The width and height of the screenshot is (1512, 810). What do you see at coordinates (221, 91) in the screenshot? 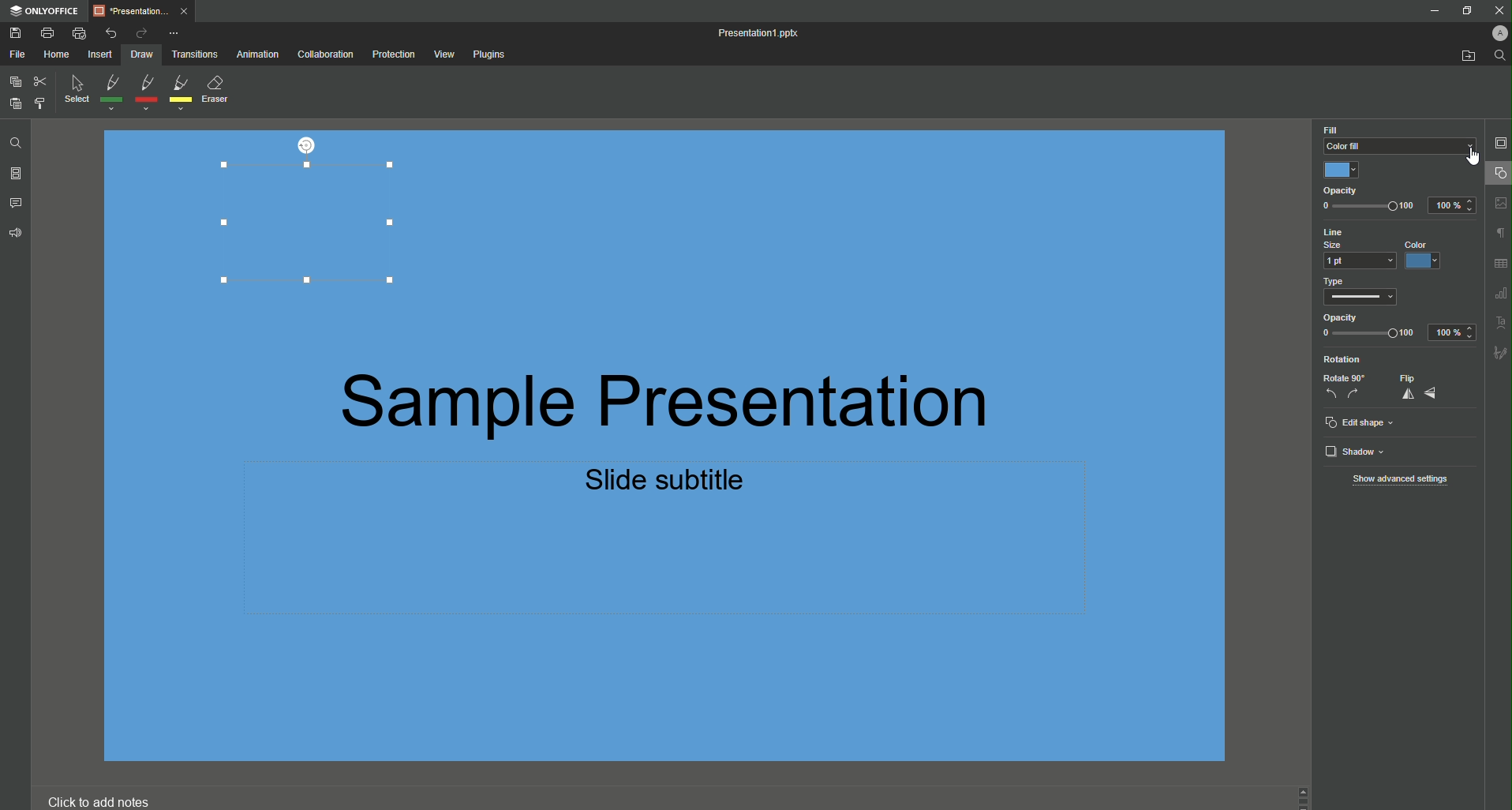
I see `Eraser` at bounding box center [221, 91].